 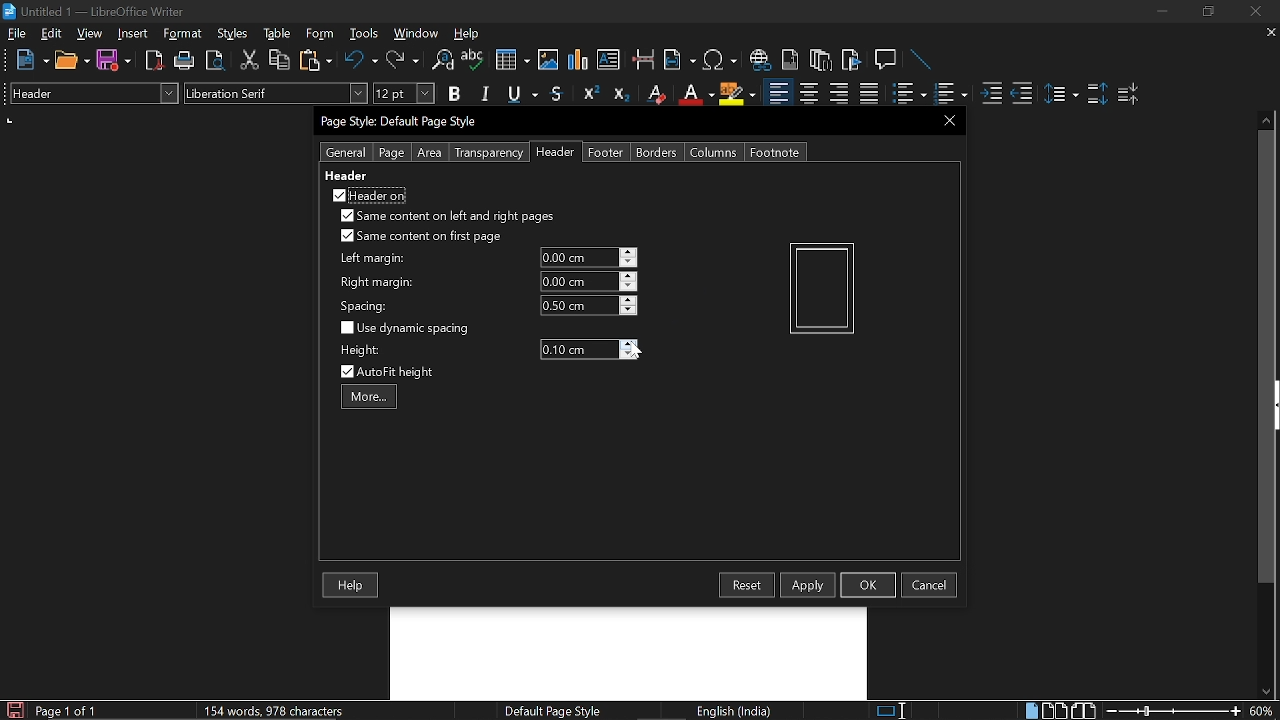 What do you see at coordinates (1031, 710) in the screenshot?
I see `Single page view` at bounding box center [1031, 710].